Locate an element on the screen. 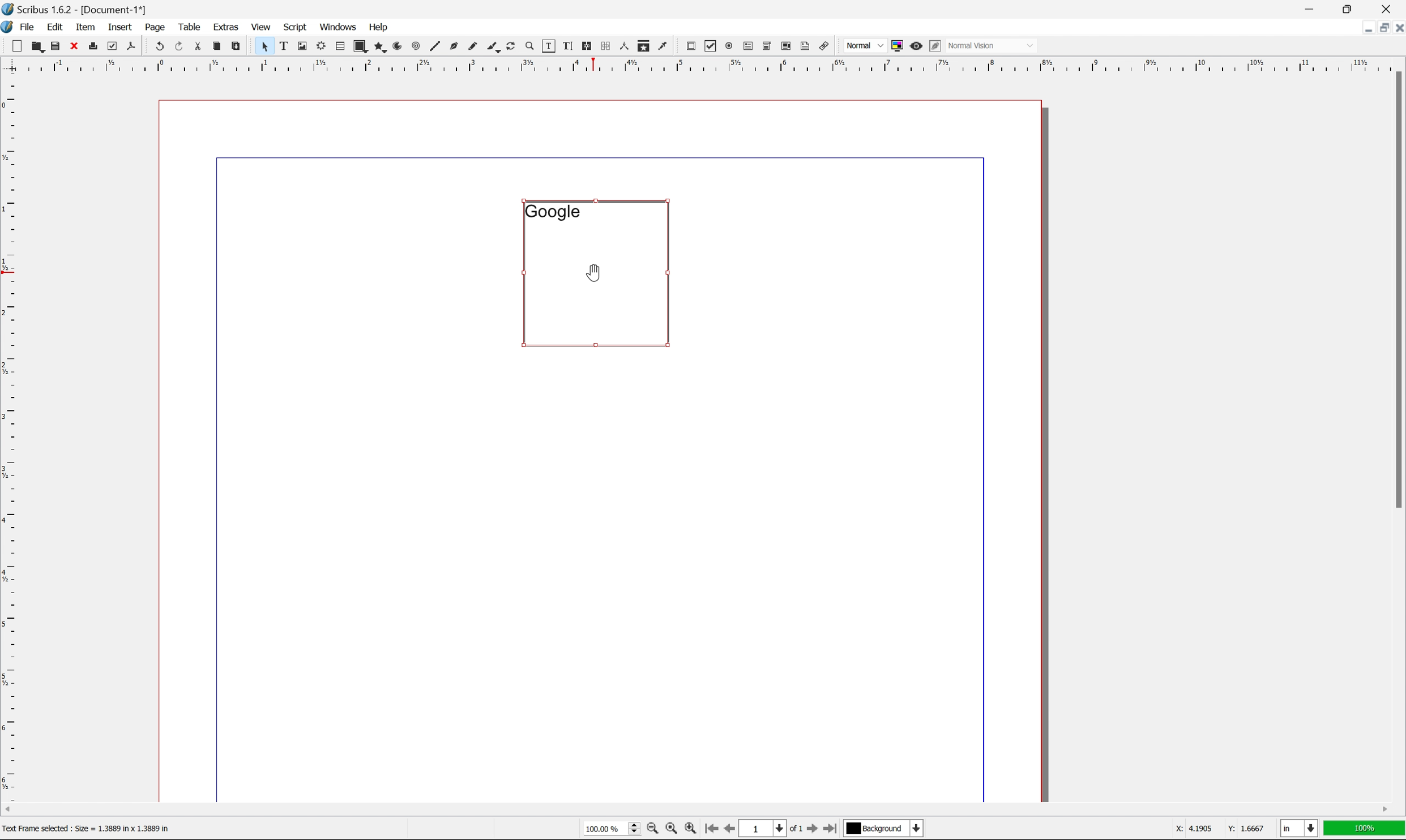  save as pdf is located at coordinates (132, 46).